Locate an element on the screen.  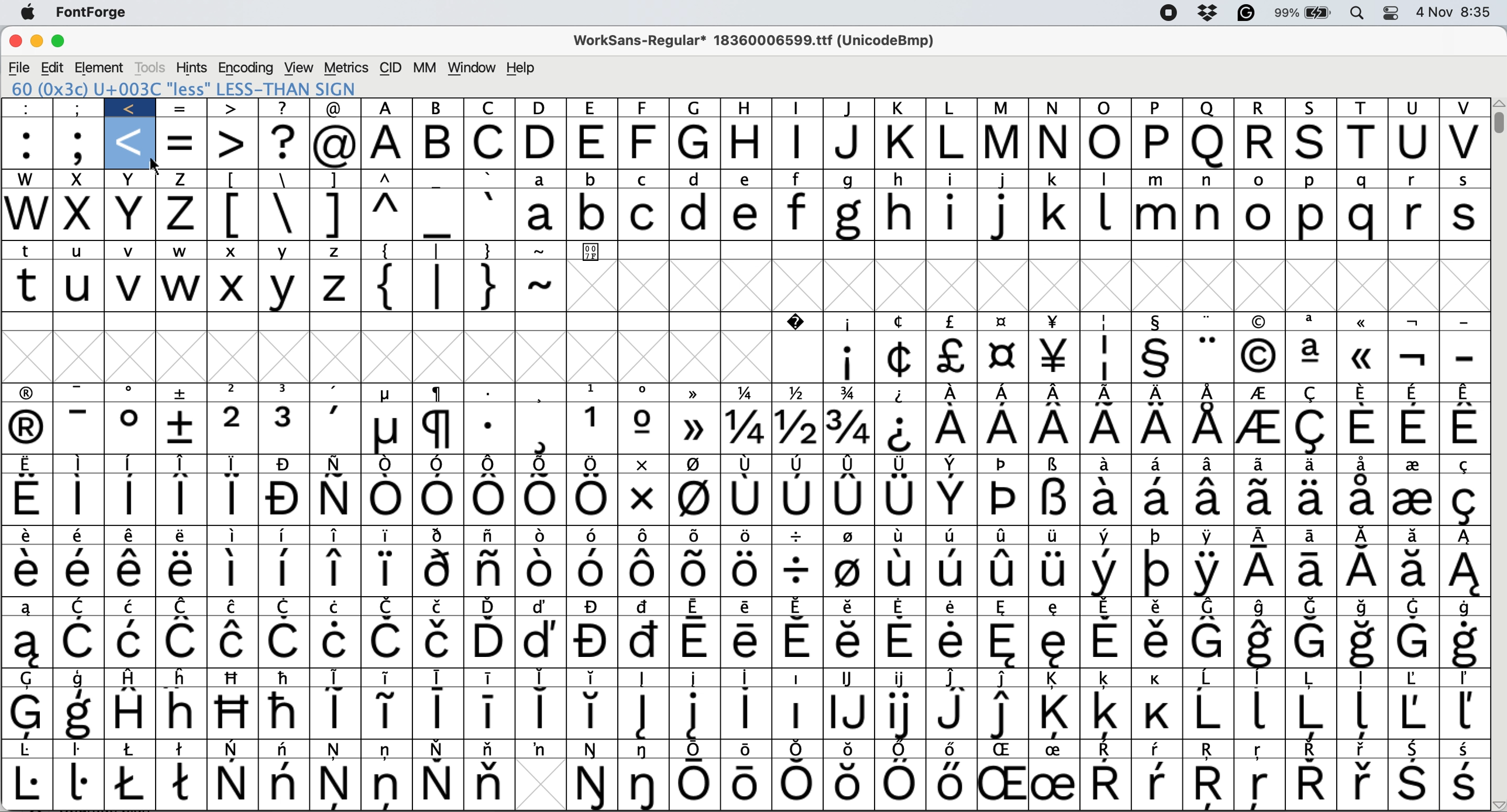
maximise is located at coordinates (65, 43).